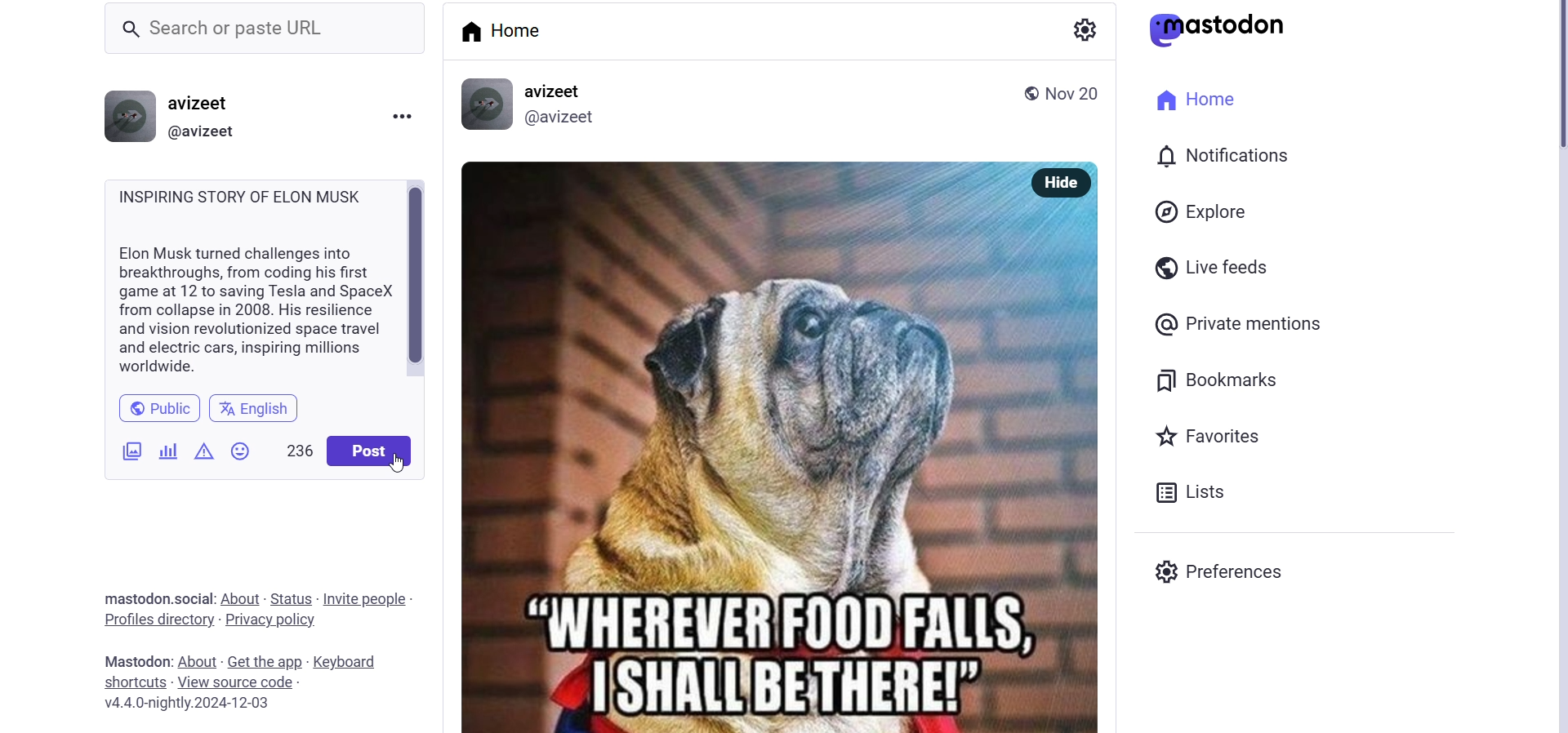  I want to click on privacy policy, so click(273, 622).